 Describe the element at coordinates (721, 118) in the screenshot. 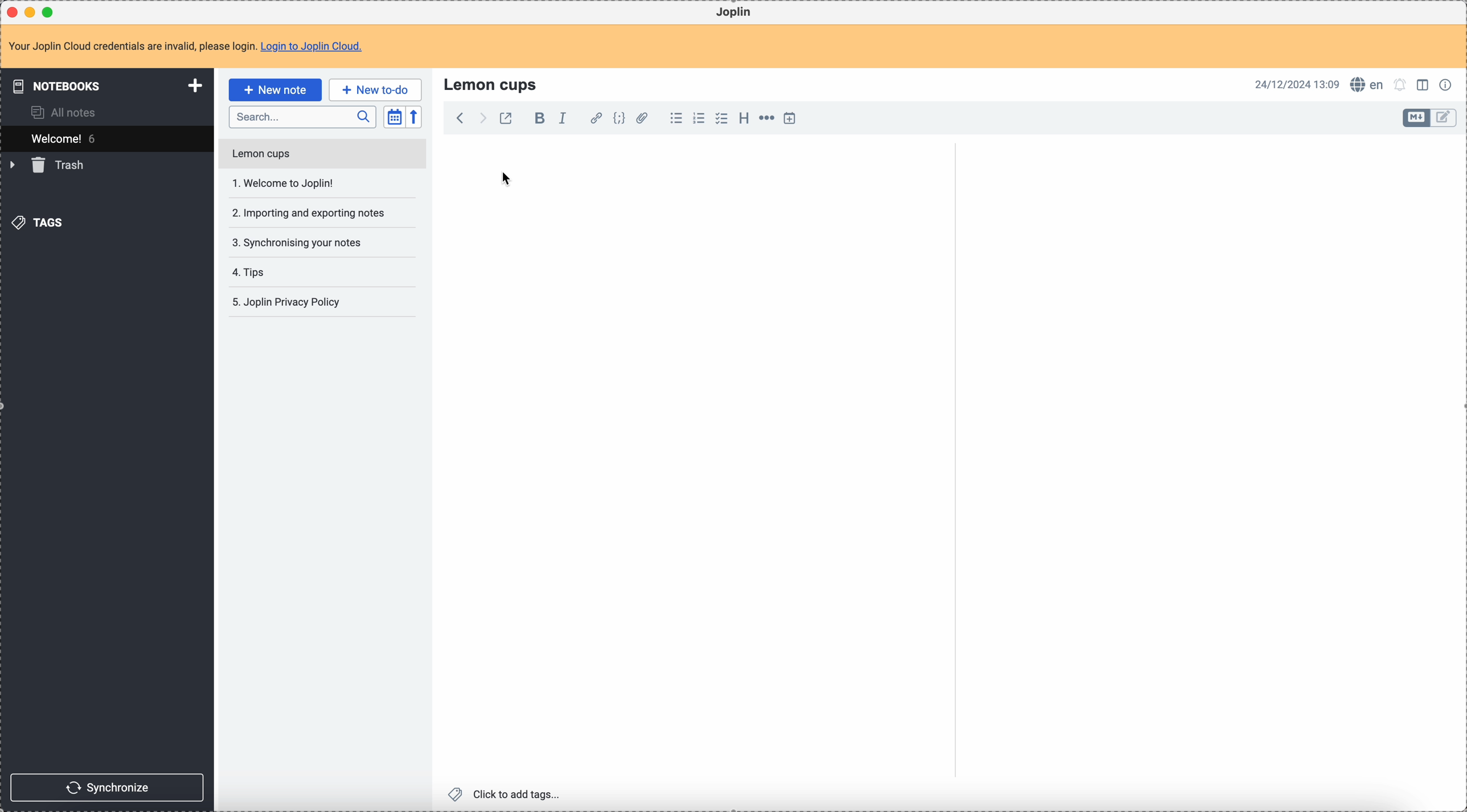

I see `check list` at that location.